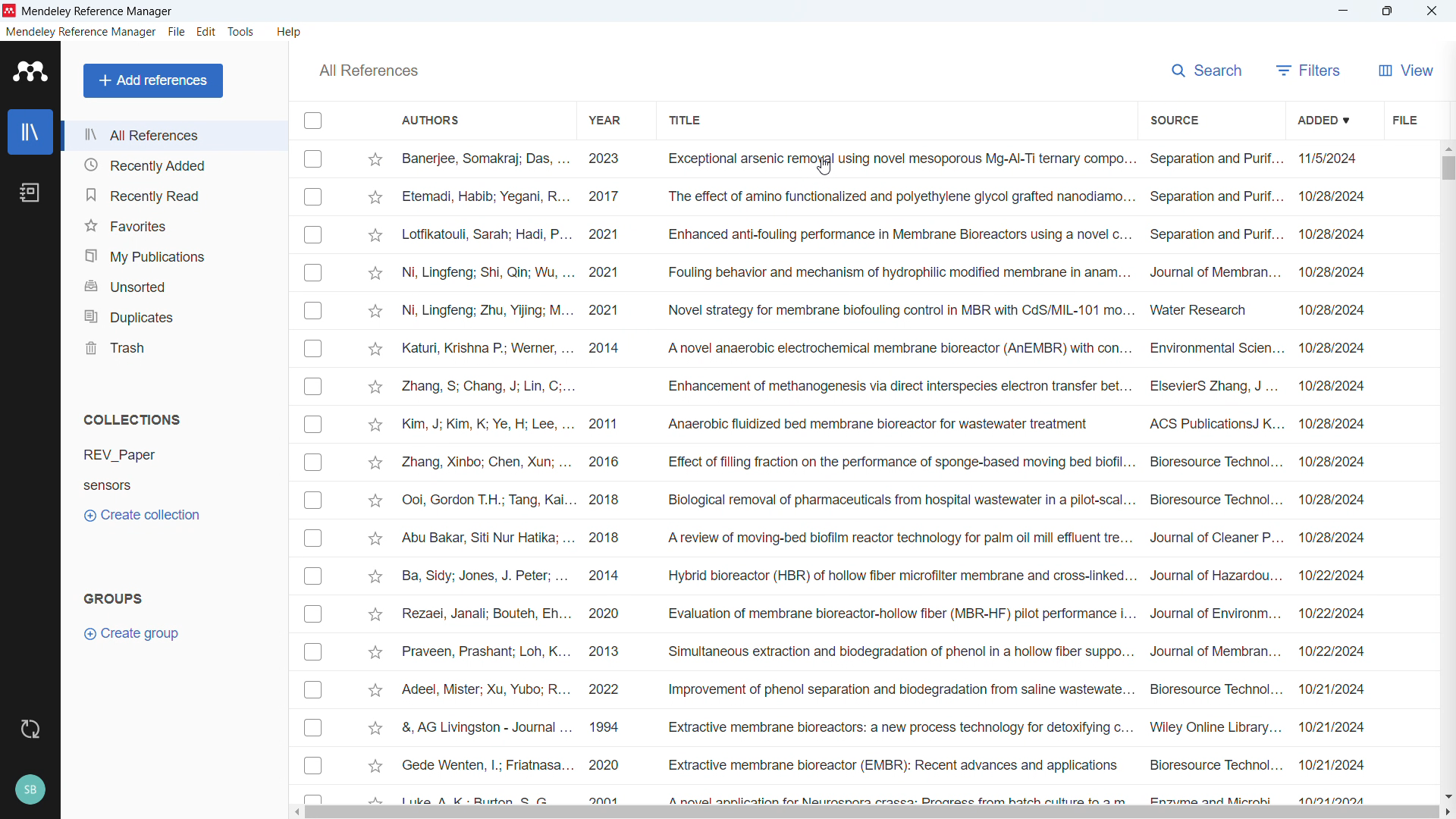 This screenshot has width=1456, height=819. I want to click on journal of membrane, so click(1214, 265).